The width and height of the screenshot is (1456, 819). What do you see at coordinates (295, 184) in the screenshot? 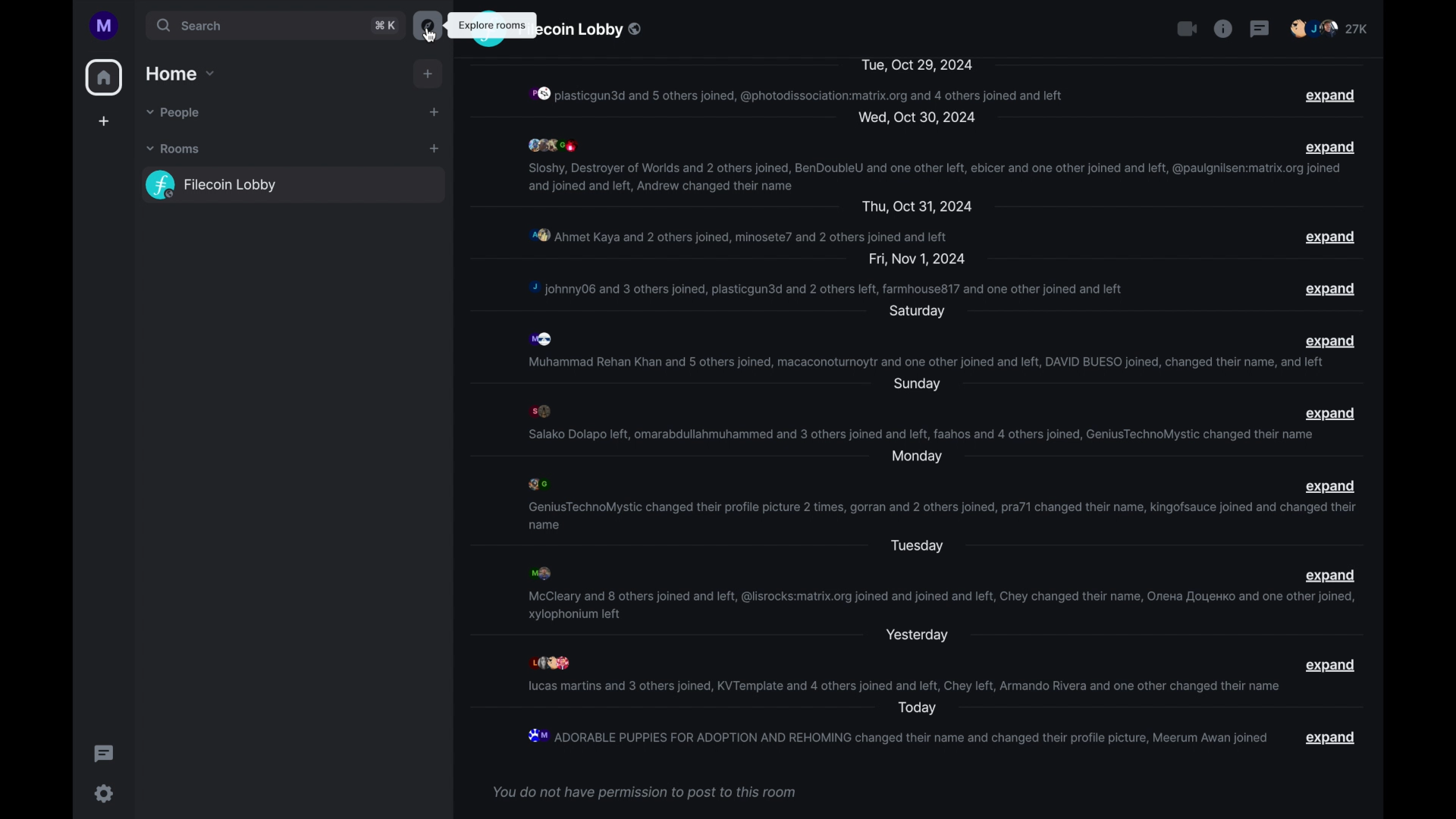
I see `Flecoin Lobby` at bounding box center [295, 184].